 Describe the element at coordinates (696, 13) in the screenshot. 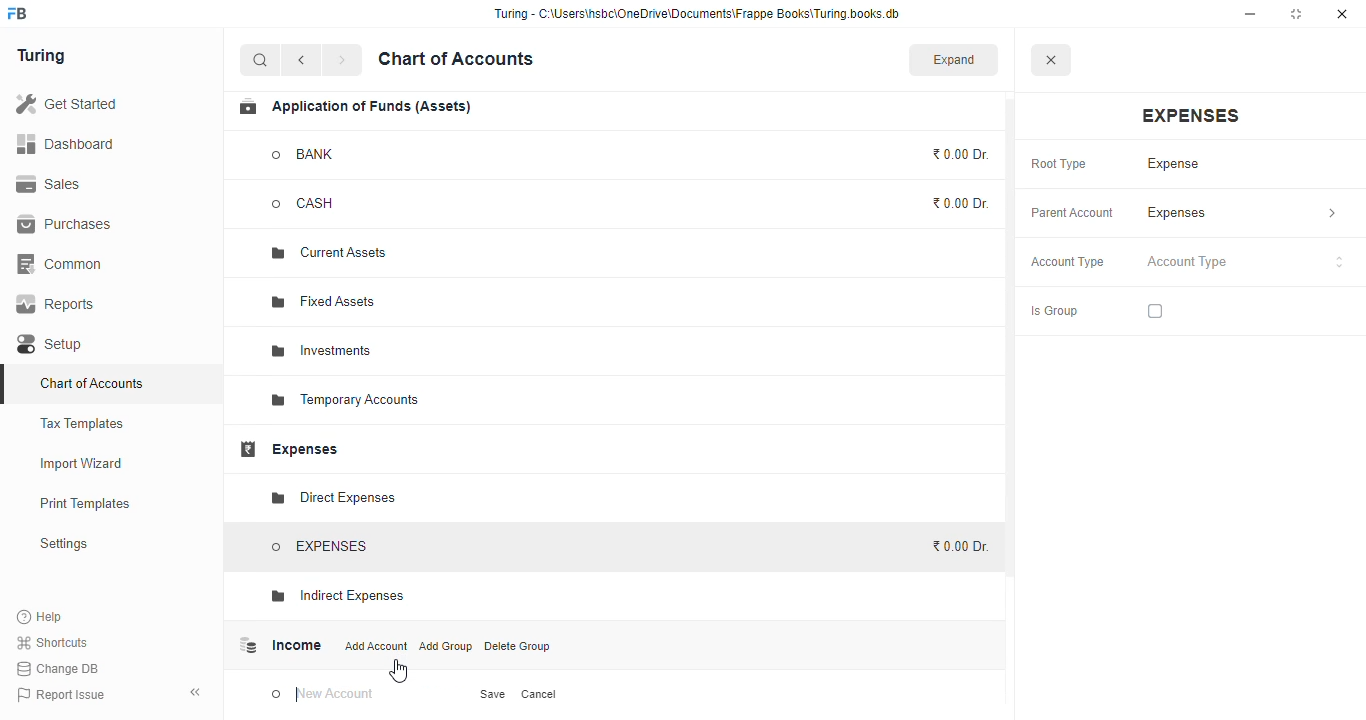

I see `“Turing - C:\Users\hsbc\OneDrive\Documents\Frappe Books\Turing books.db` at that location.